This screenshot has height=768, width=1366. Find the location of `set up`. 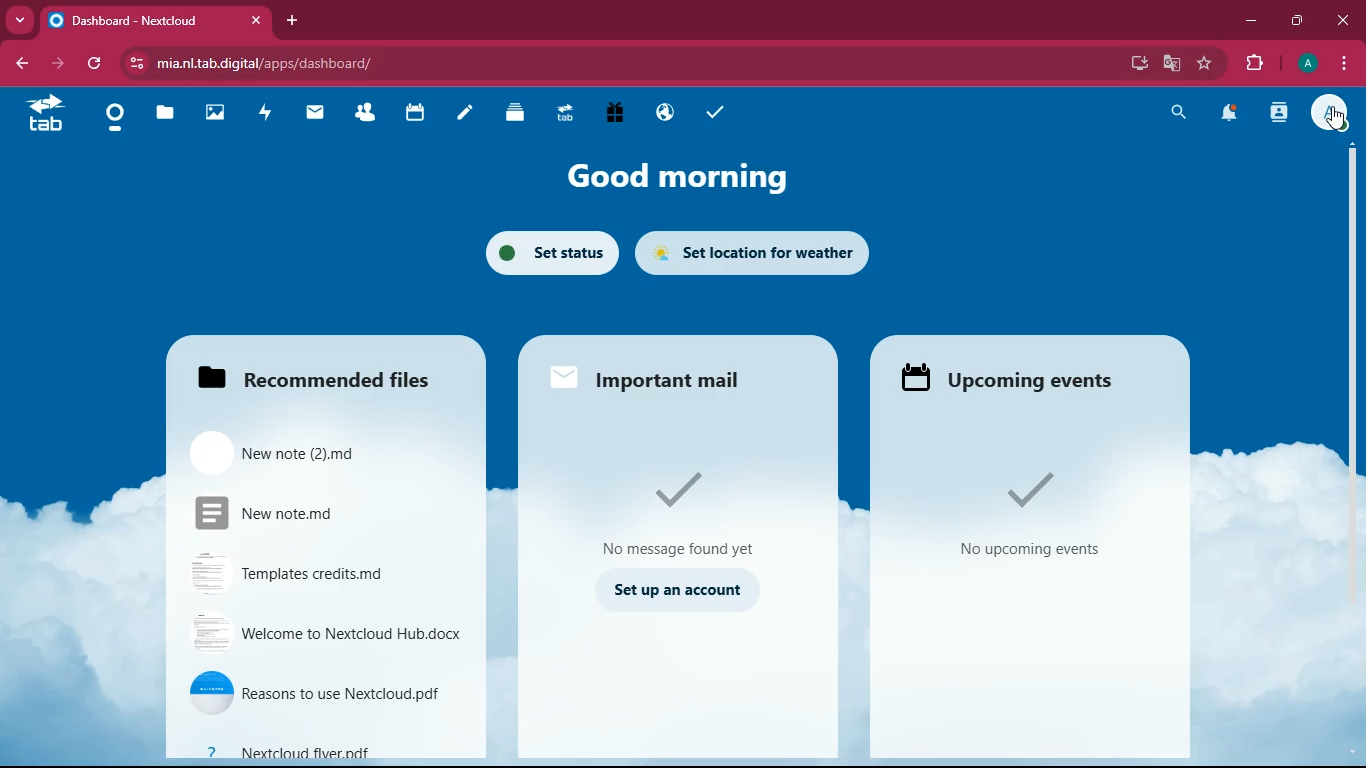

set up is located at coordinates (675, 591).